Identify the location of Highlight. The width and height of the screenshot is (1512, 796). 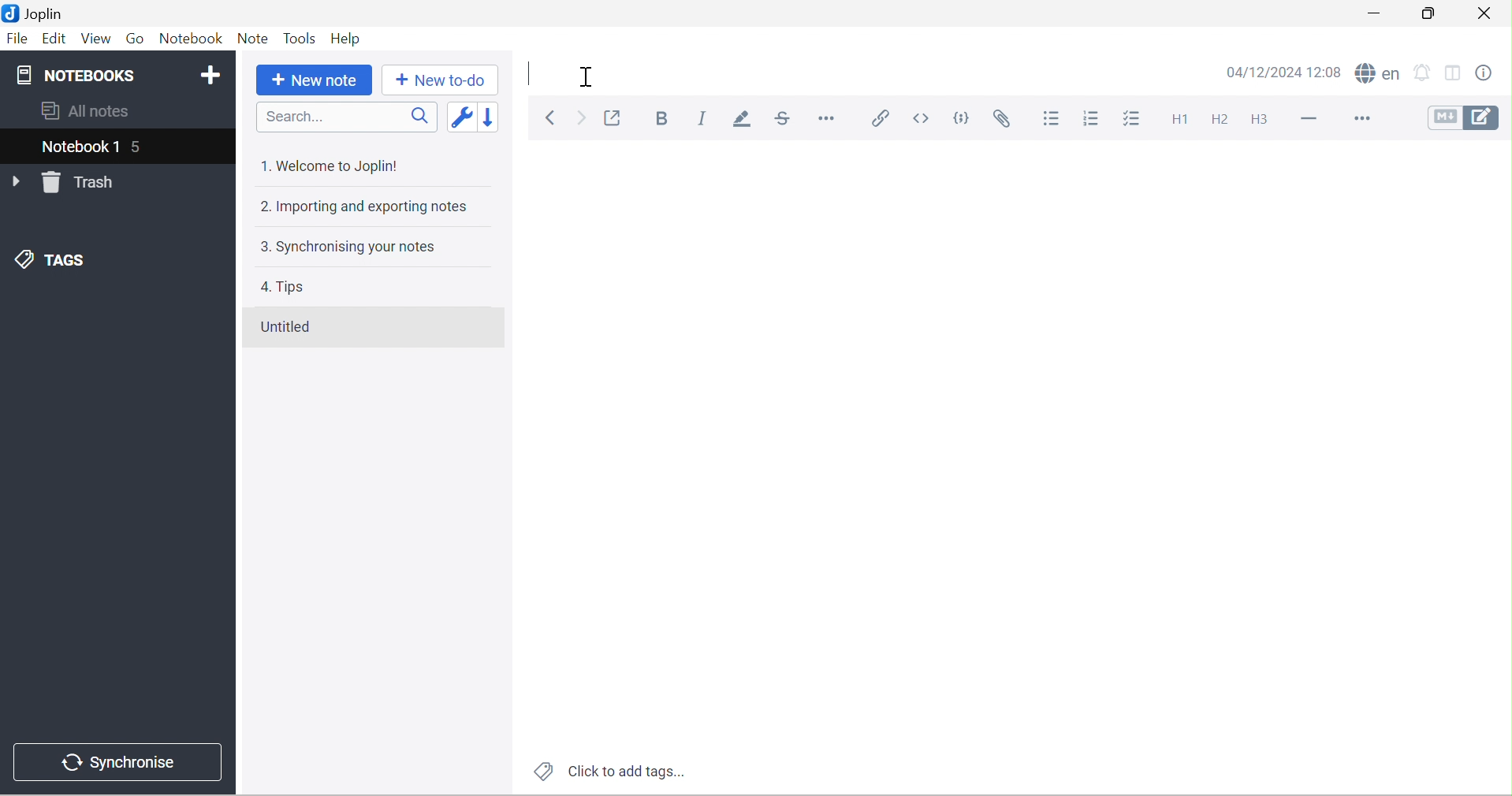
(743, 121).